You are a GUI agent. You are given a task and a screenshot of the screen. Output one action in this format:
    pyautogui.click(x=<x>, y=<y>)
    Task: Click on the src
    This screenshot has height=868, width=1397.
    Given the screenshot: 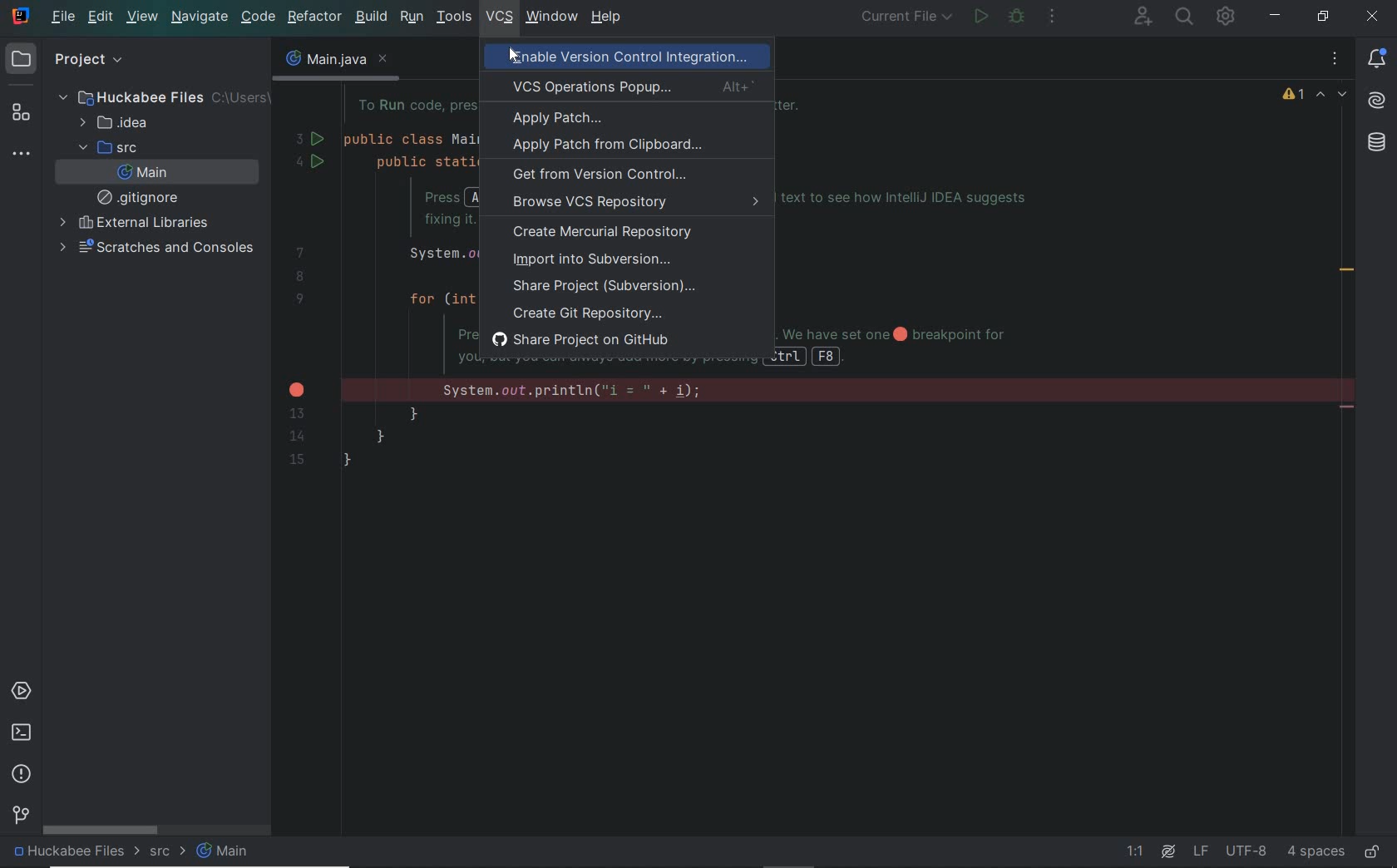 What is the action you would take?
    pyautogui.click(x=167, y=853)
    